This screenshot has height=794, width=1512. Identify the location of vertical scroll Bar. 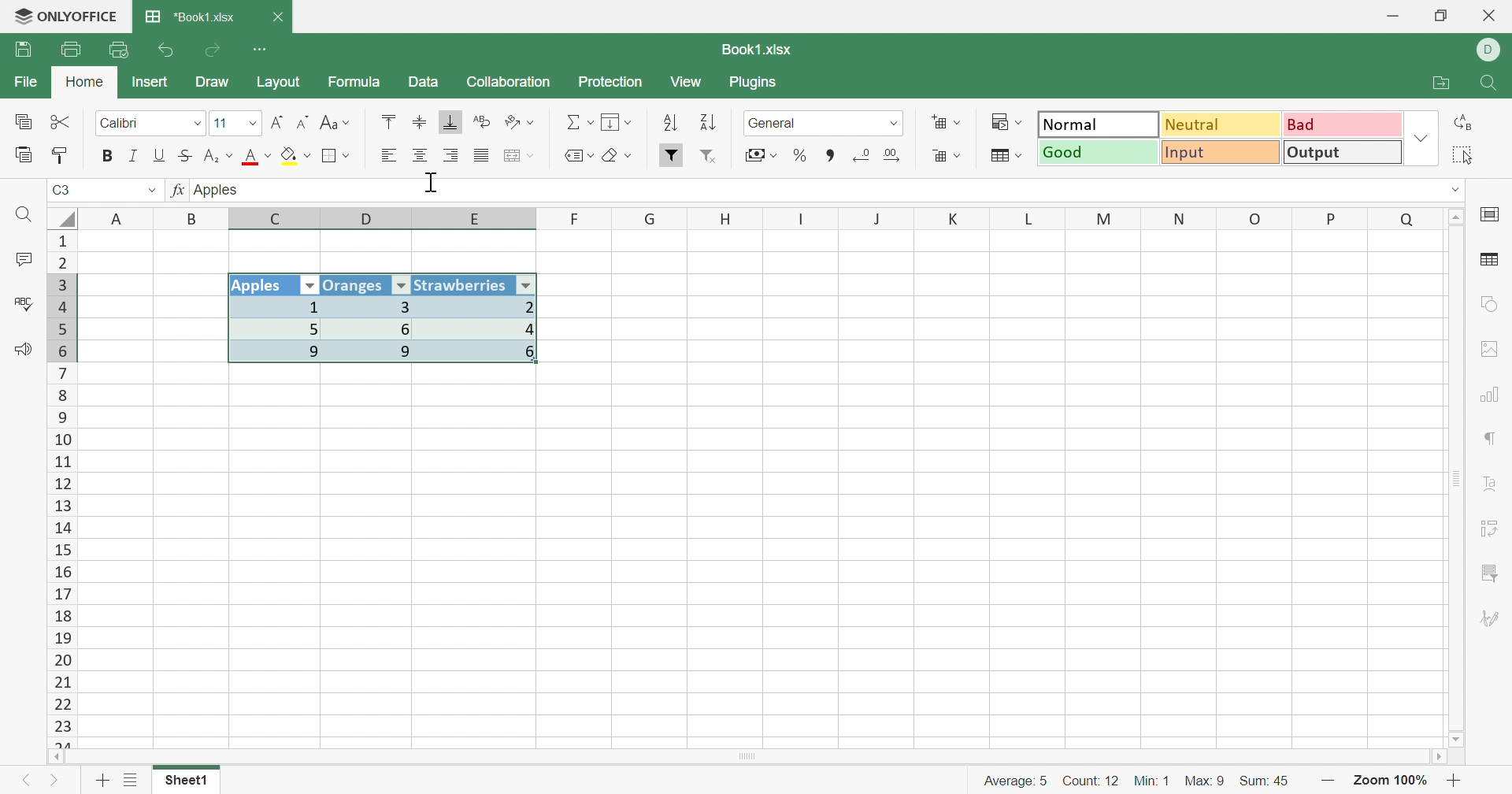
(1454, 477).